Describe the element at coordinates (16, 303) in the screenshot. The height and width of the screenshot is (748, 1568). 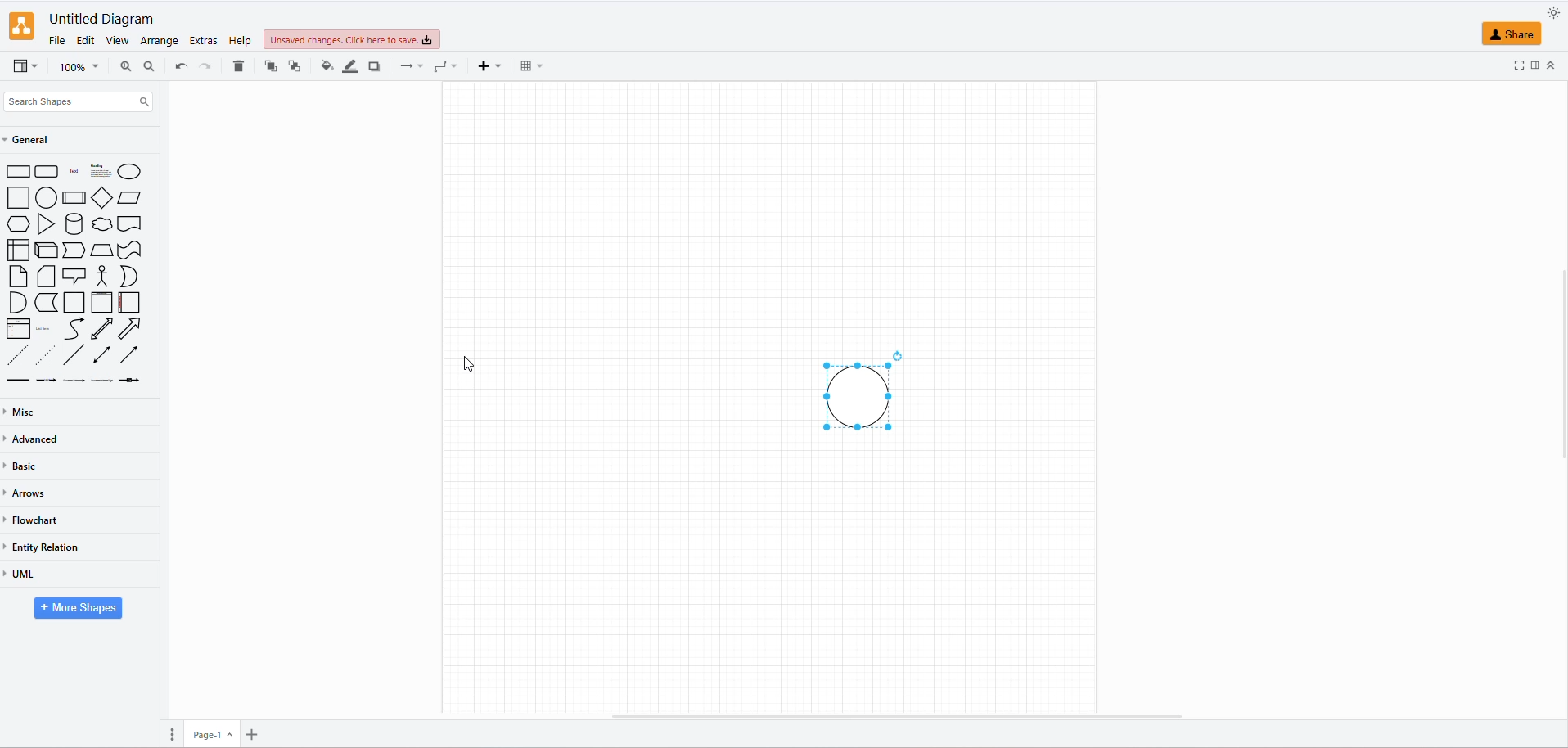
I see `AND` at that location.